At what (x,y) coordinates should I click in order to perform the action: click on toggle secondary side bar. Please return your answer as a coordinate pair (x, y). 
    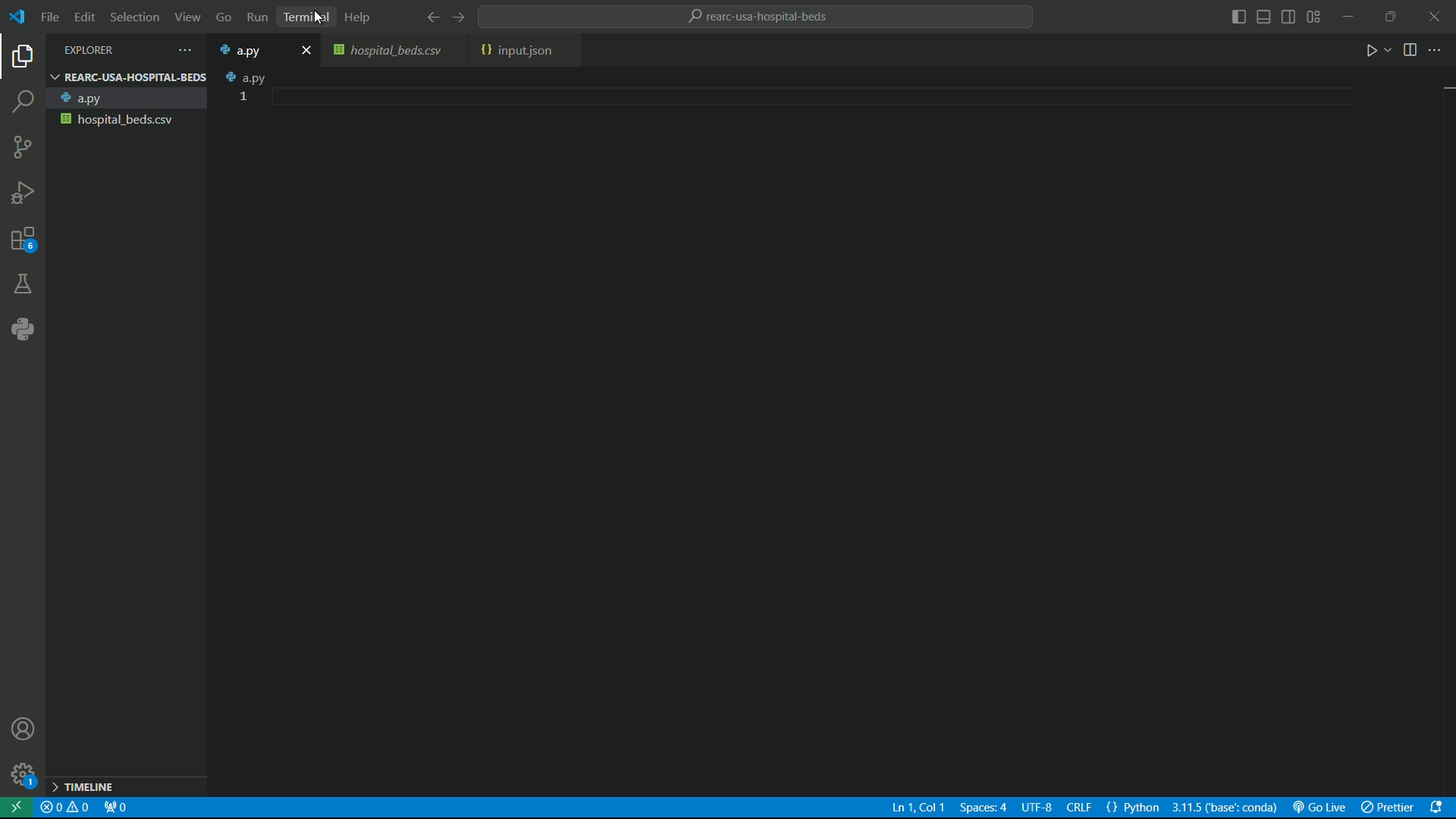
    Looking at the image, I should click on (1288, 17).